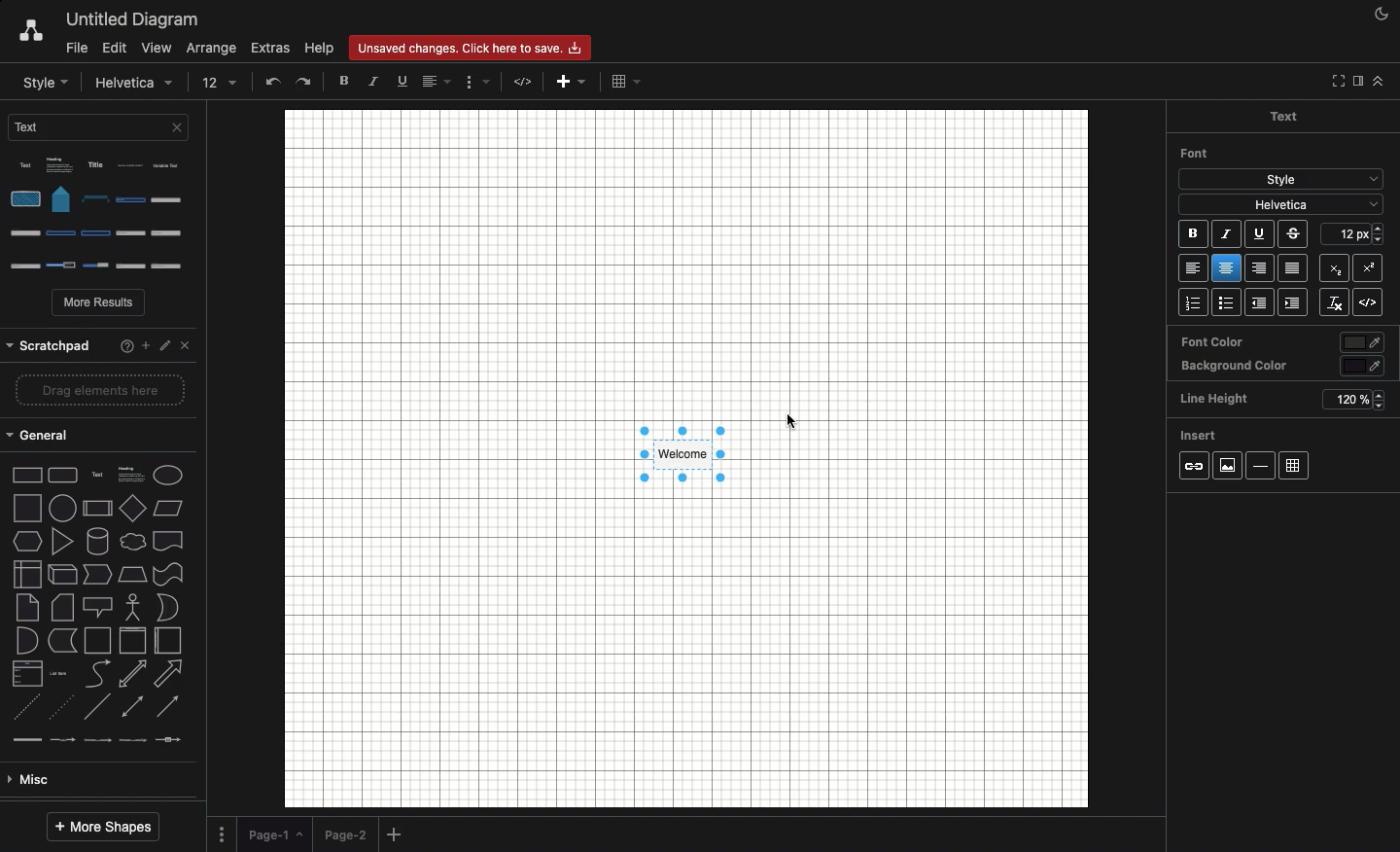  I want to click on To front, so click(345, 85).